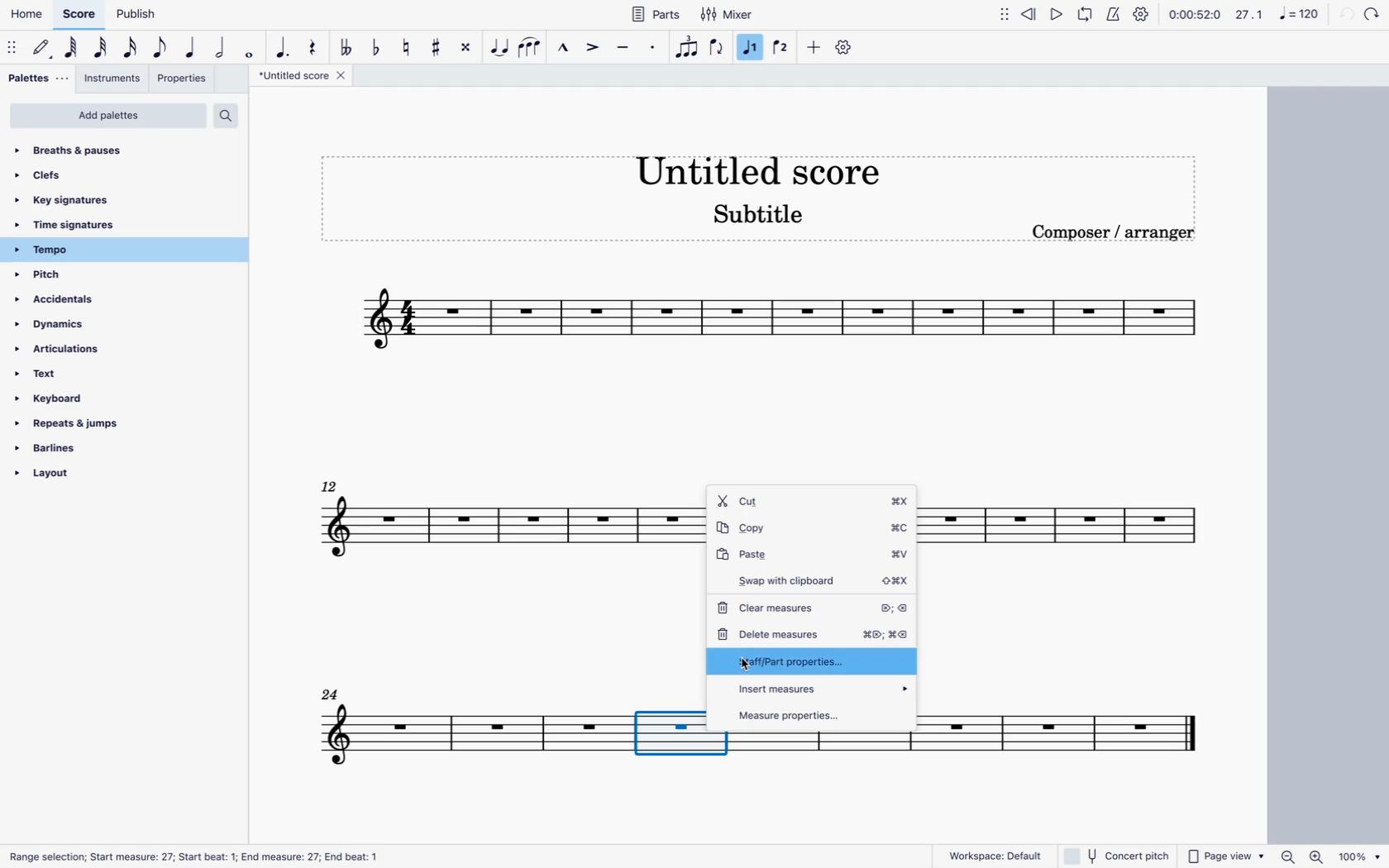 This screenshot has width=1389, height=868. Describe the element at coordinates (814, 661) in the screenshot. I see `staff/part properties` at that location.